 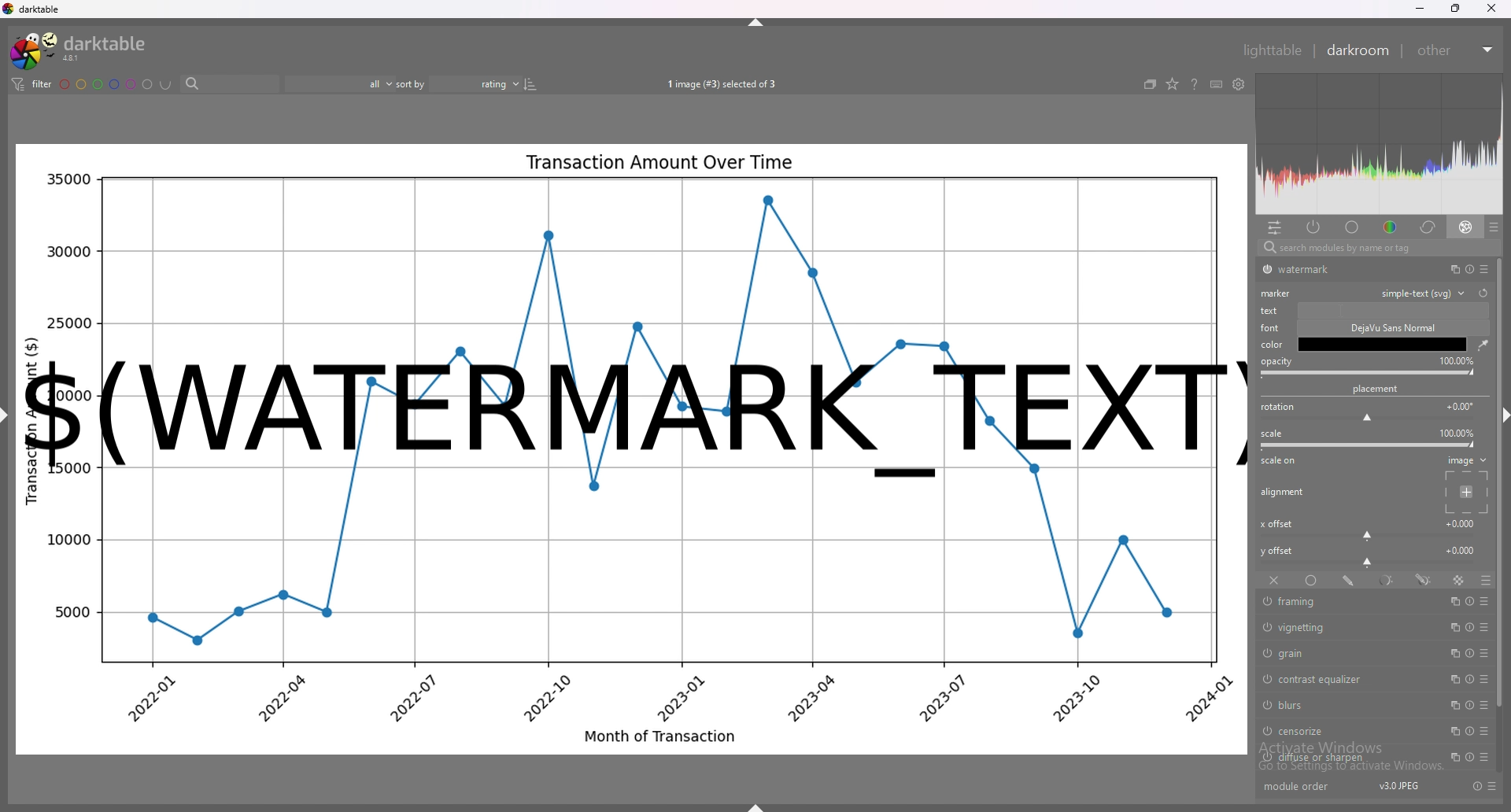 I want to click on image, so click(x=1467, y=460).